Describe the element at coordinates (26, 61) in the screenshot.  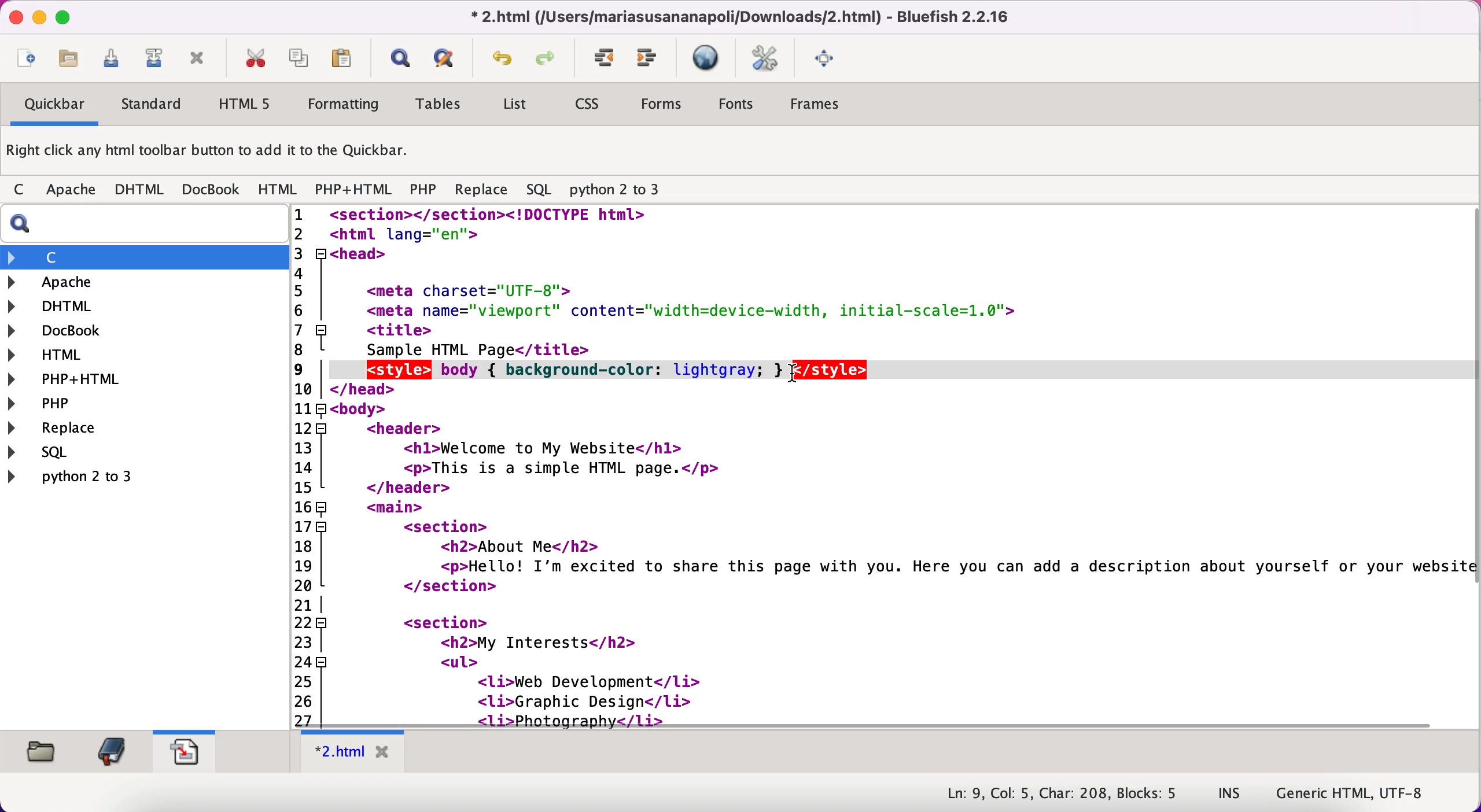
I see `new file` at that location.